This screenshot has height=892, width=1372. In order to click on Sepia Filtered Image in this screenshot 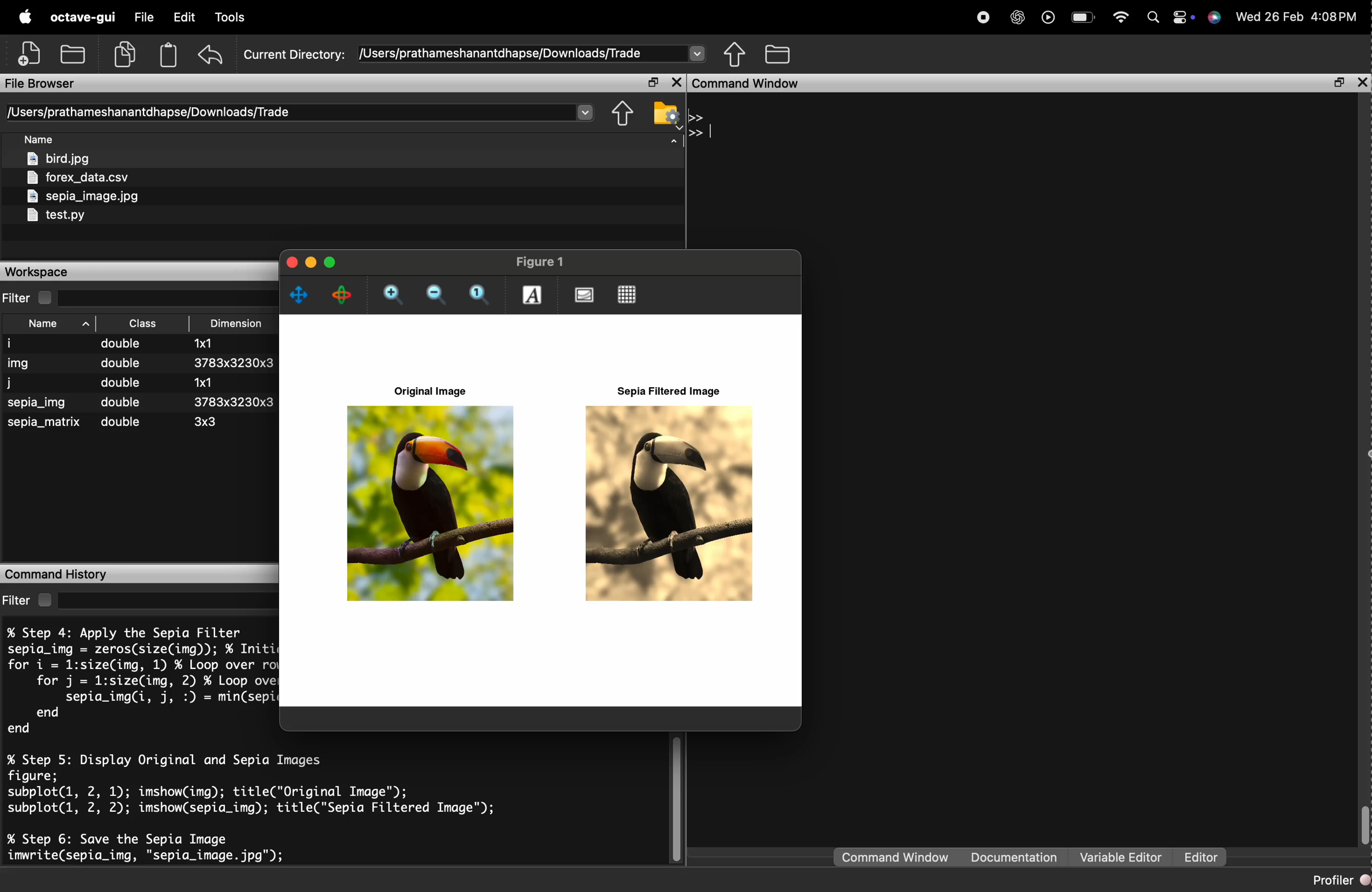, I will do `click(671, 392)`.